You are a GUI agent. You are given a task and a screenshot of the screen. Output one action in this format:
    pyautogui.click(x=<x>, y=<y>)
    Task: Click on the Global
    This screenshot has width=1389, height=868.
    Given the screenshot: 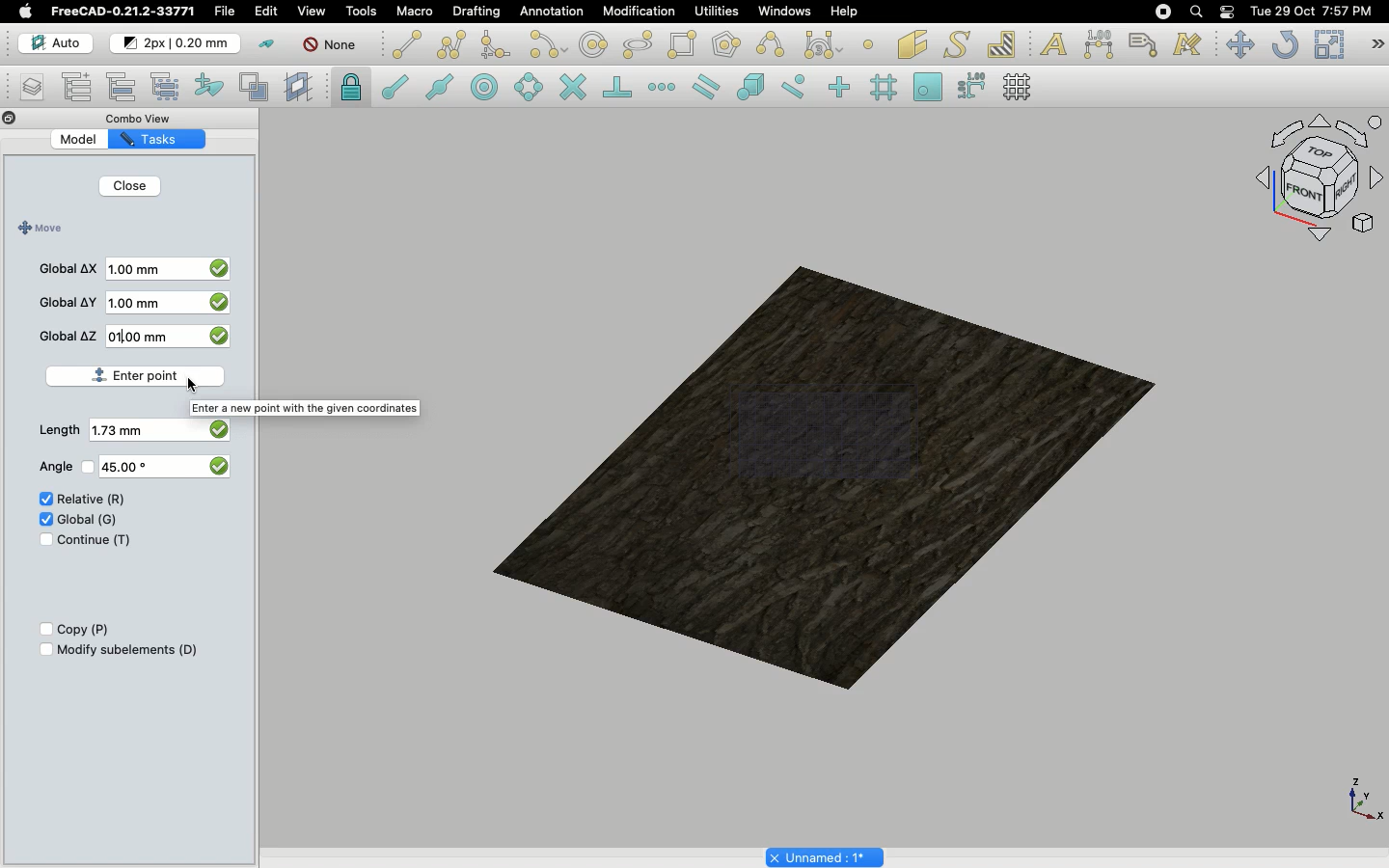 What is the action you would take?
    pyautogui.click(x=89, y=518)
    